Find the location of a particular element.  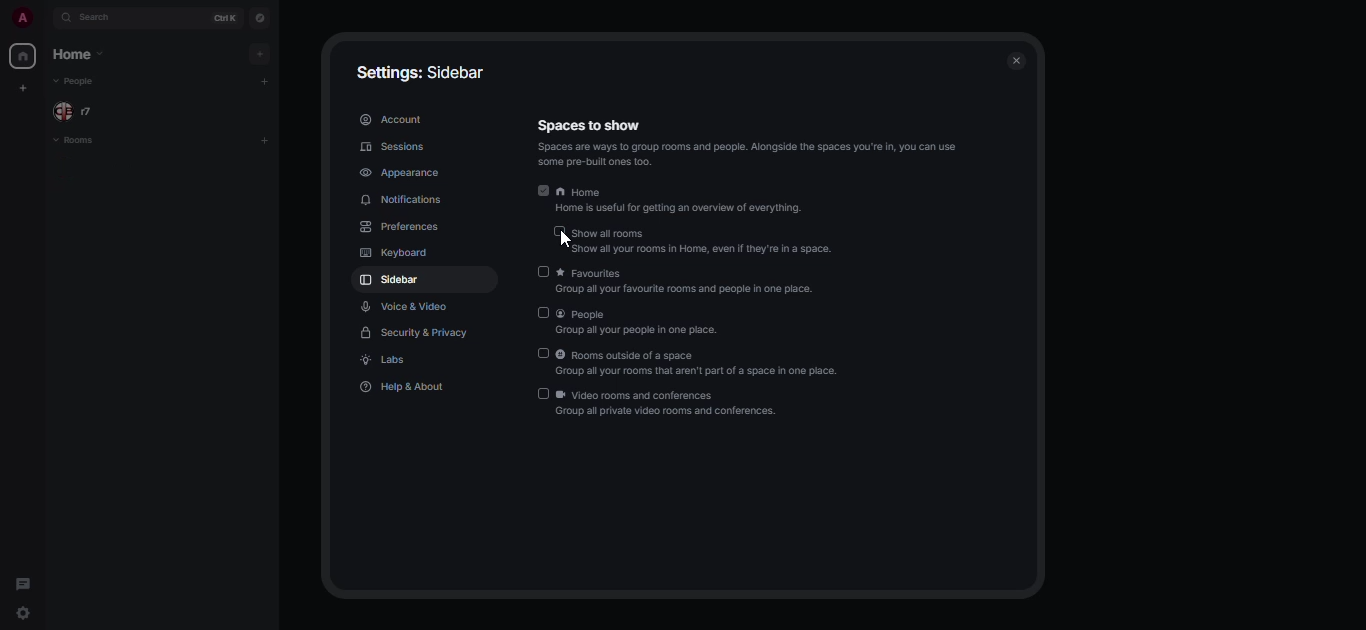

add is located at coordinates (267, 139).